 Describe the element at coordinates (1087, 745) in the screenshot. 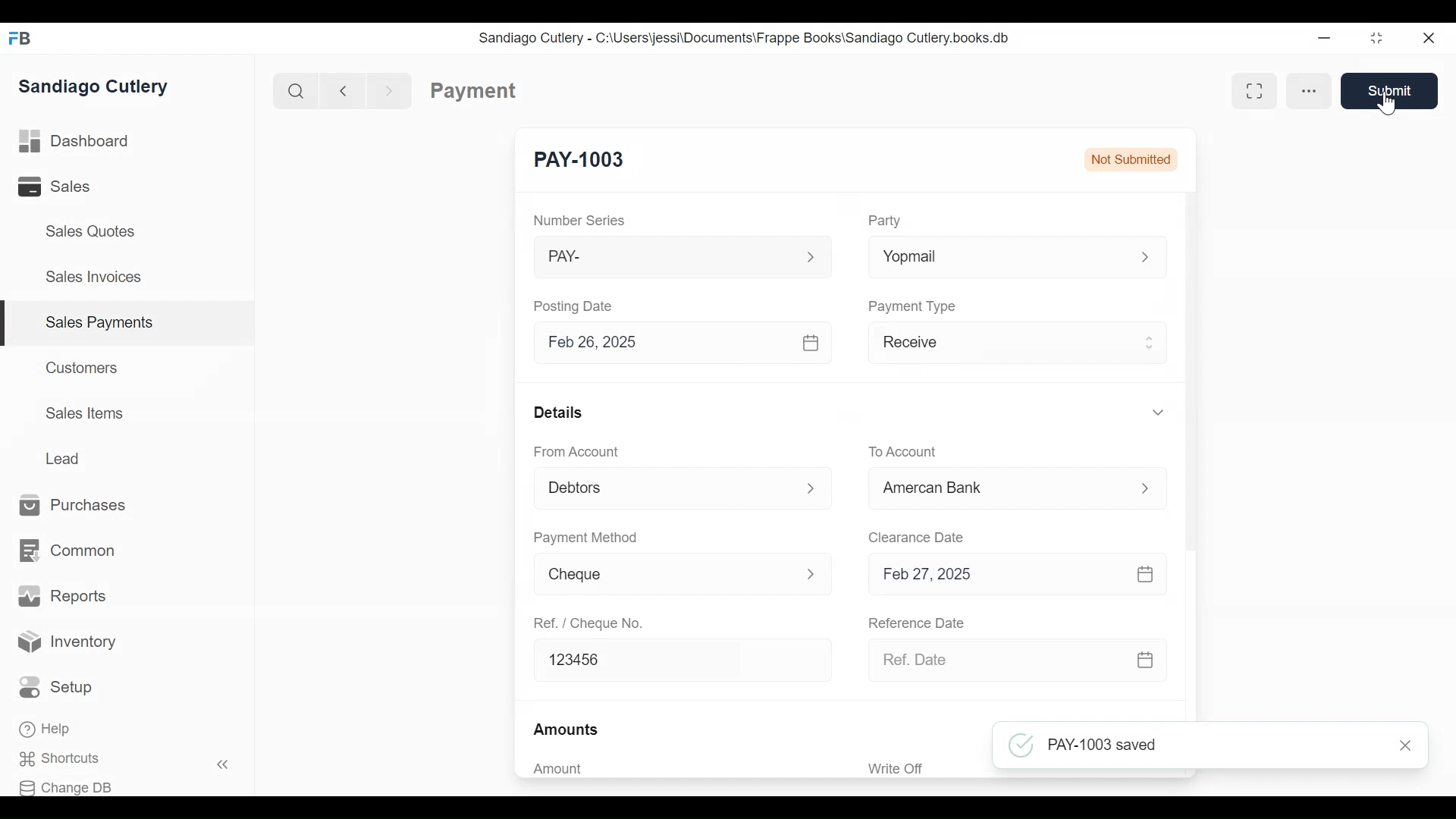

I see `PAY-1003 saved` at that location.